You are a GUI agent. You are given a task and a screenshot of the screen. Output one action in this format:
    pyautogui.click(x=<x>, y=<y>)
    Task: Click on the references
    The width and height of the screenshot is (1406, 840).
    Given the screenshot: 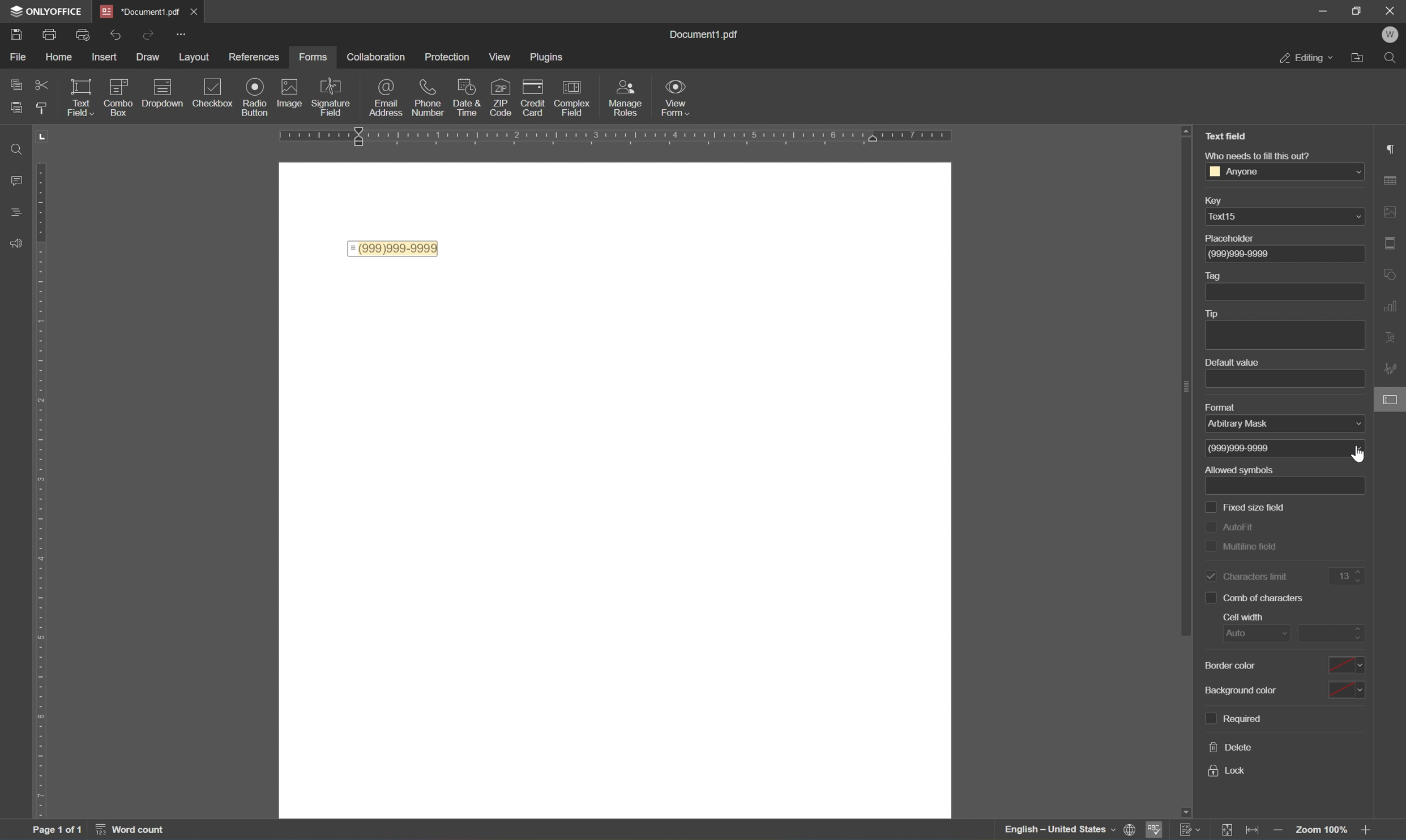 What is the action you would take?
    pyautogui.click(x=253, y=57)
    